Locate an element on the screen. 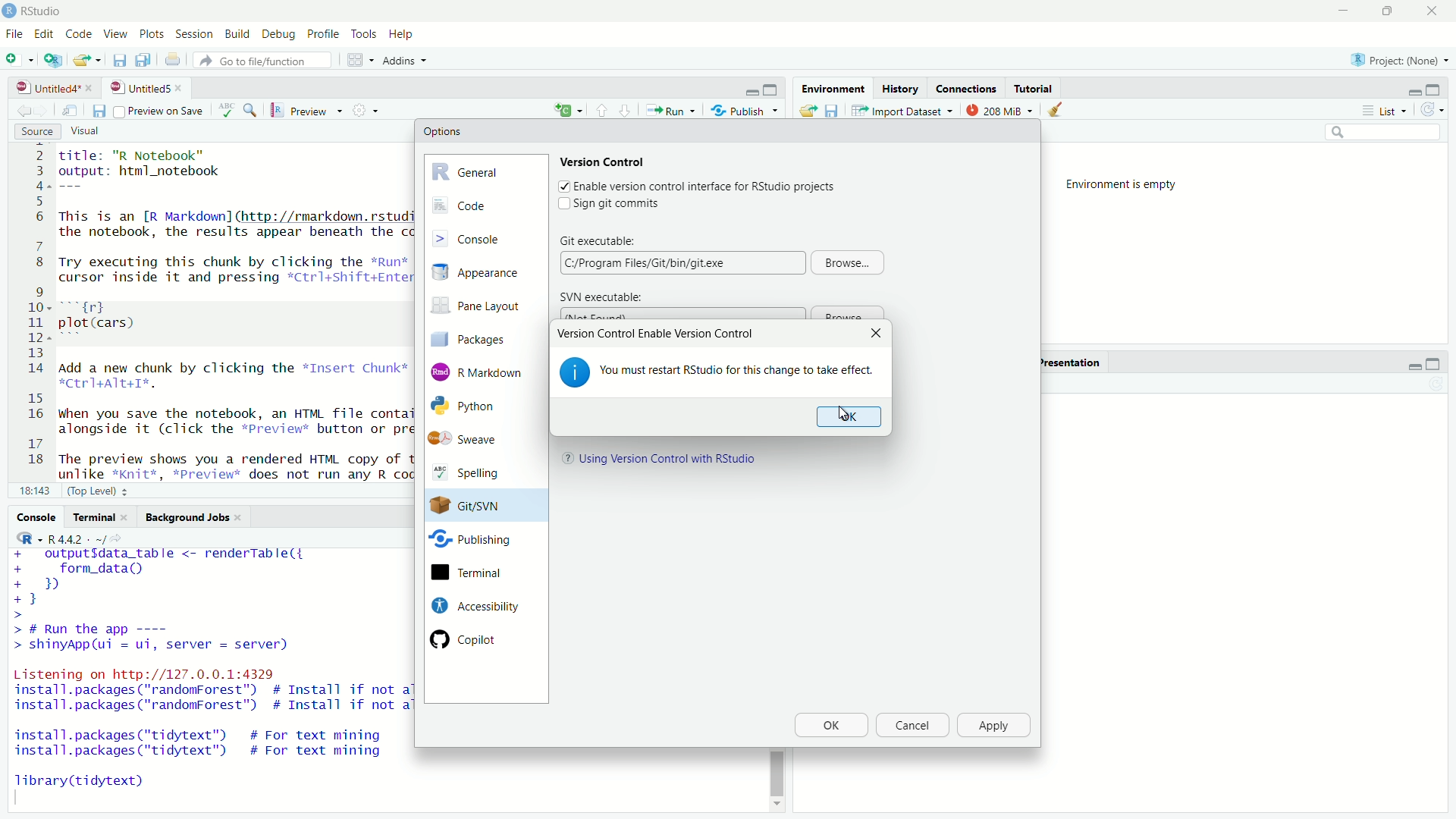 The height and width of the screenshot is (819, 1456). New File is located at coordinates (20, 58).